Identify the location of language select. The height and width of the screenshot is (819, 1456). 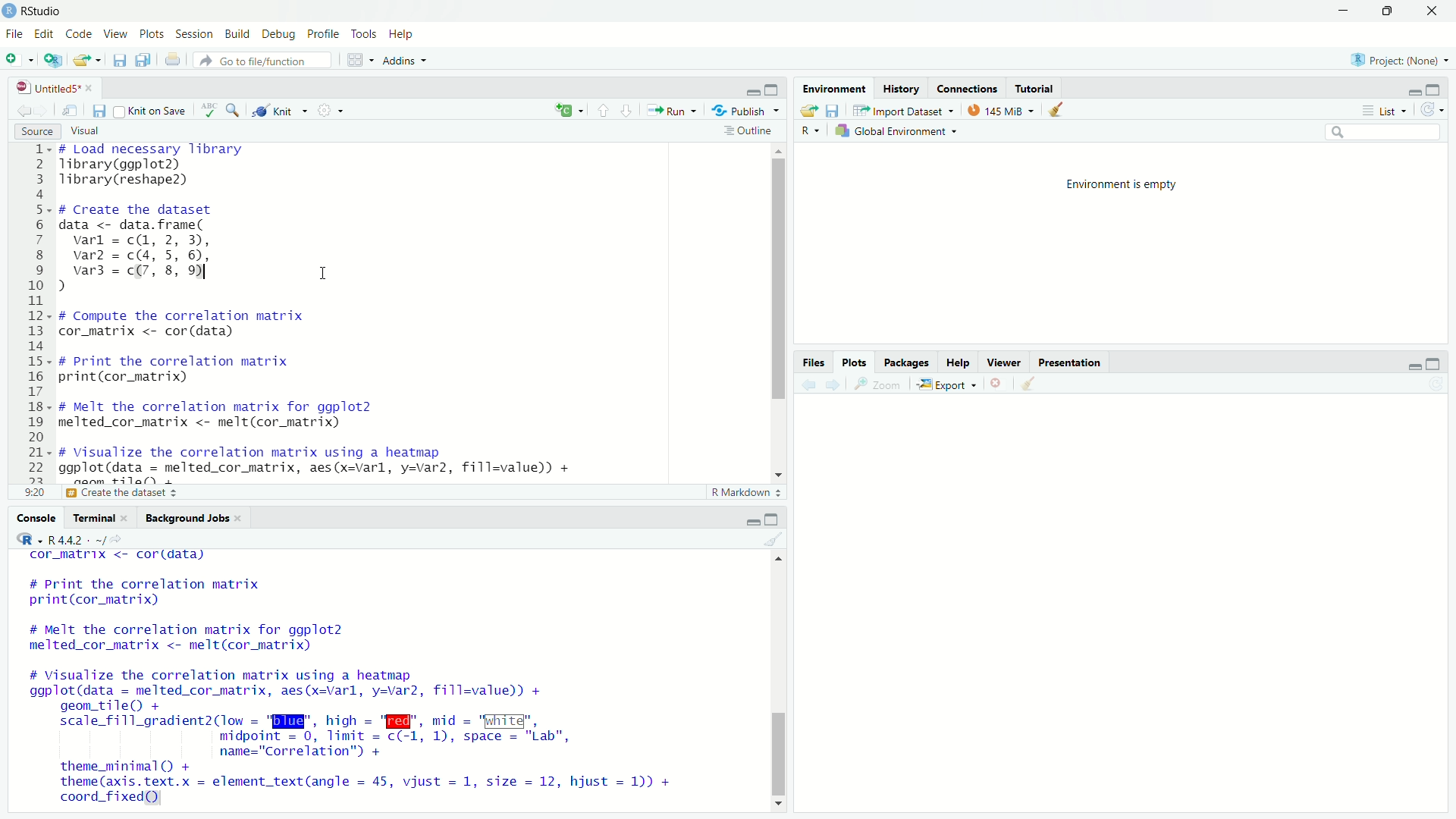
(570, 111).